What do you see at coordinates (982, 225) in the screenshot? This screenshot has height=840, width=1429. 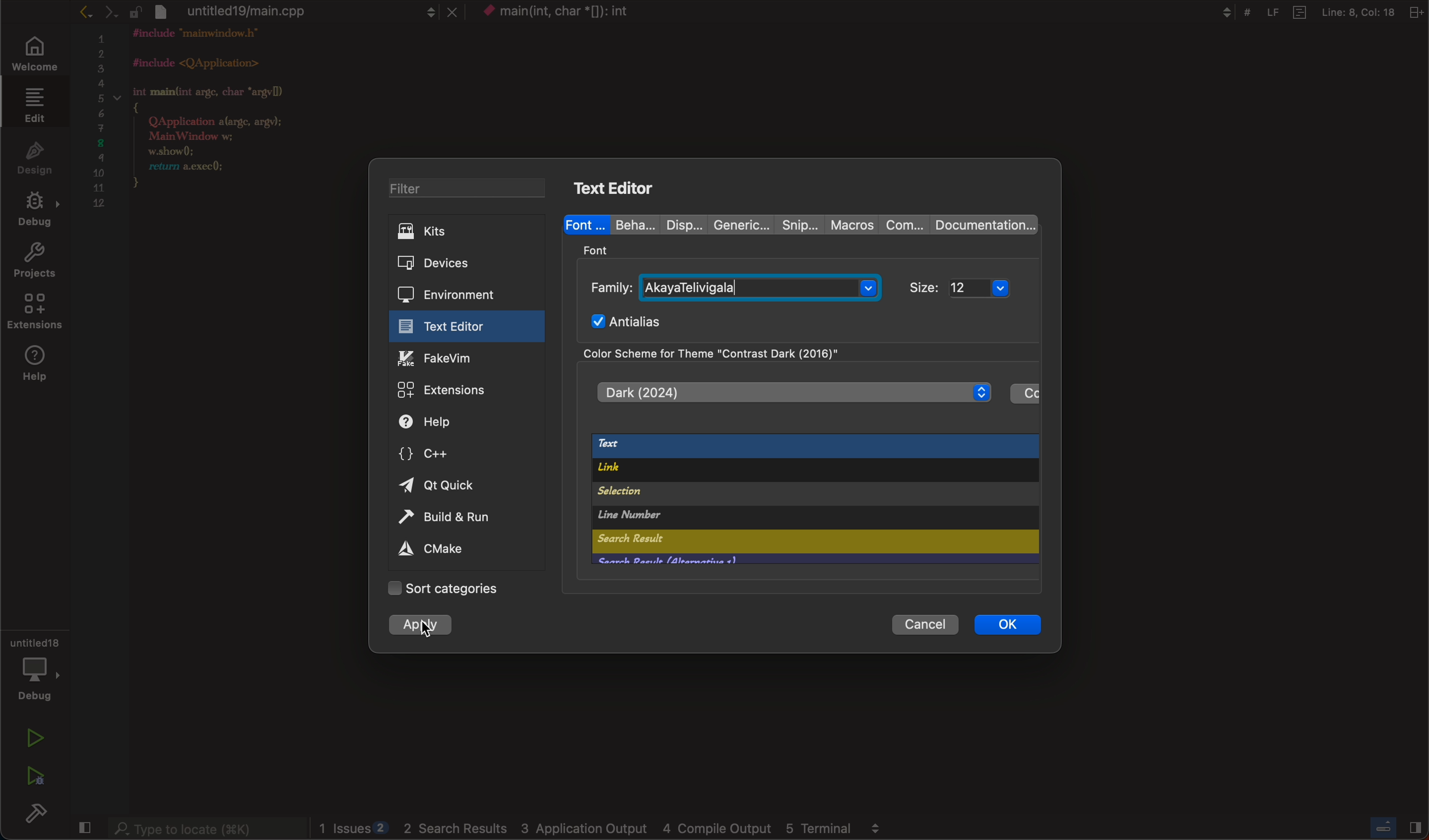 I see `documentation` at bounding box center [982, 225].